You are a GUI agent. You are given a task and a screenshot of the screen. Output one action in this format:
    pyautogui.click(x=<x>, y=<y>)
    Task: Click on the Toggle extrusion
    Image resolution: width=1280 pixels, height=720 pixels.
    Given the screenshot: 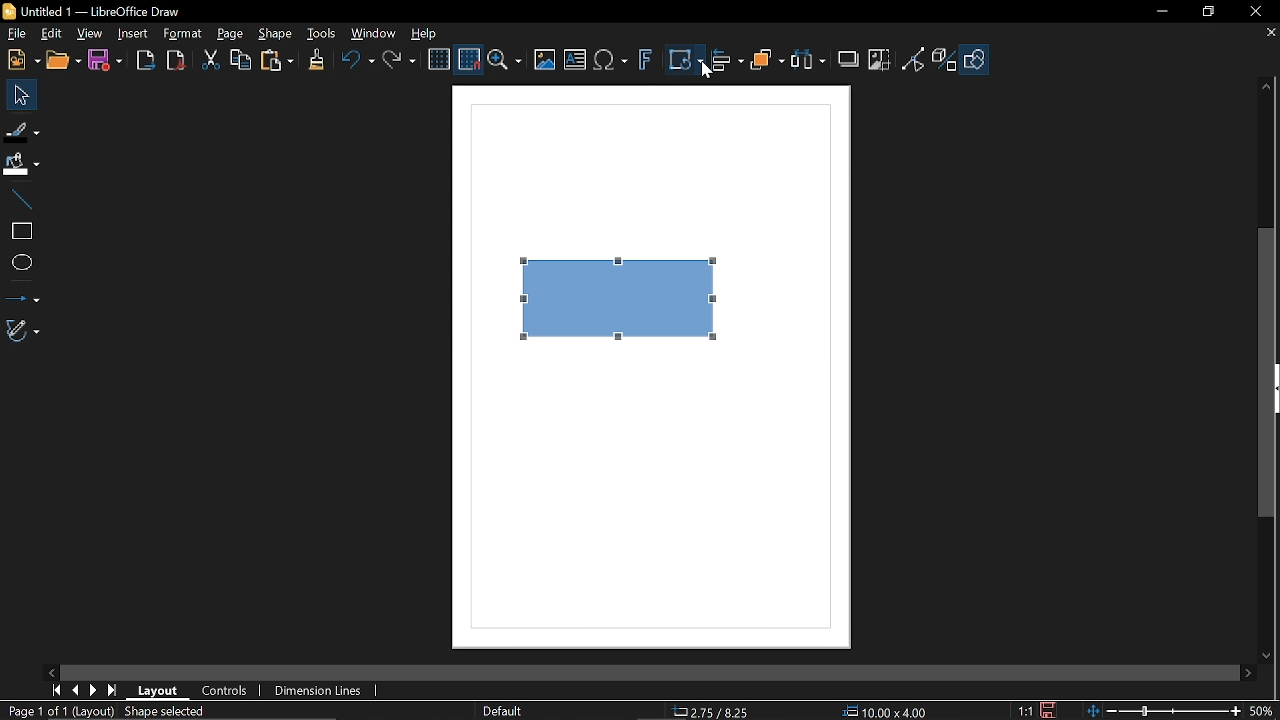 What is the action you would take?
    pyautogui.click(x=946, y=61)
    